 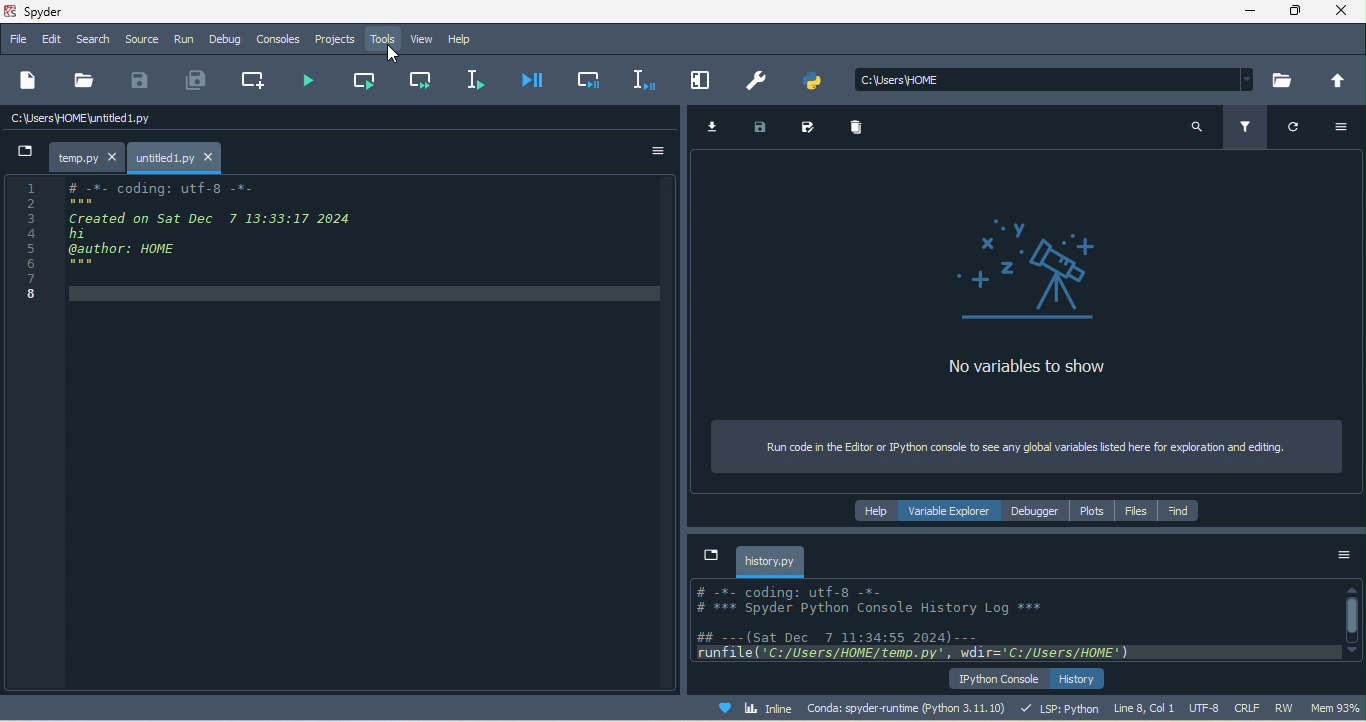 I want to click on no variables to show, so click(x=1052, y=306).